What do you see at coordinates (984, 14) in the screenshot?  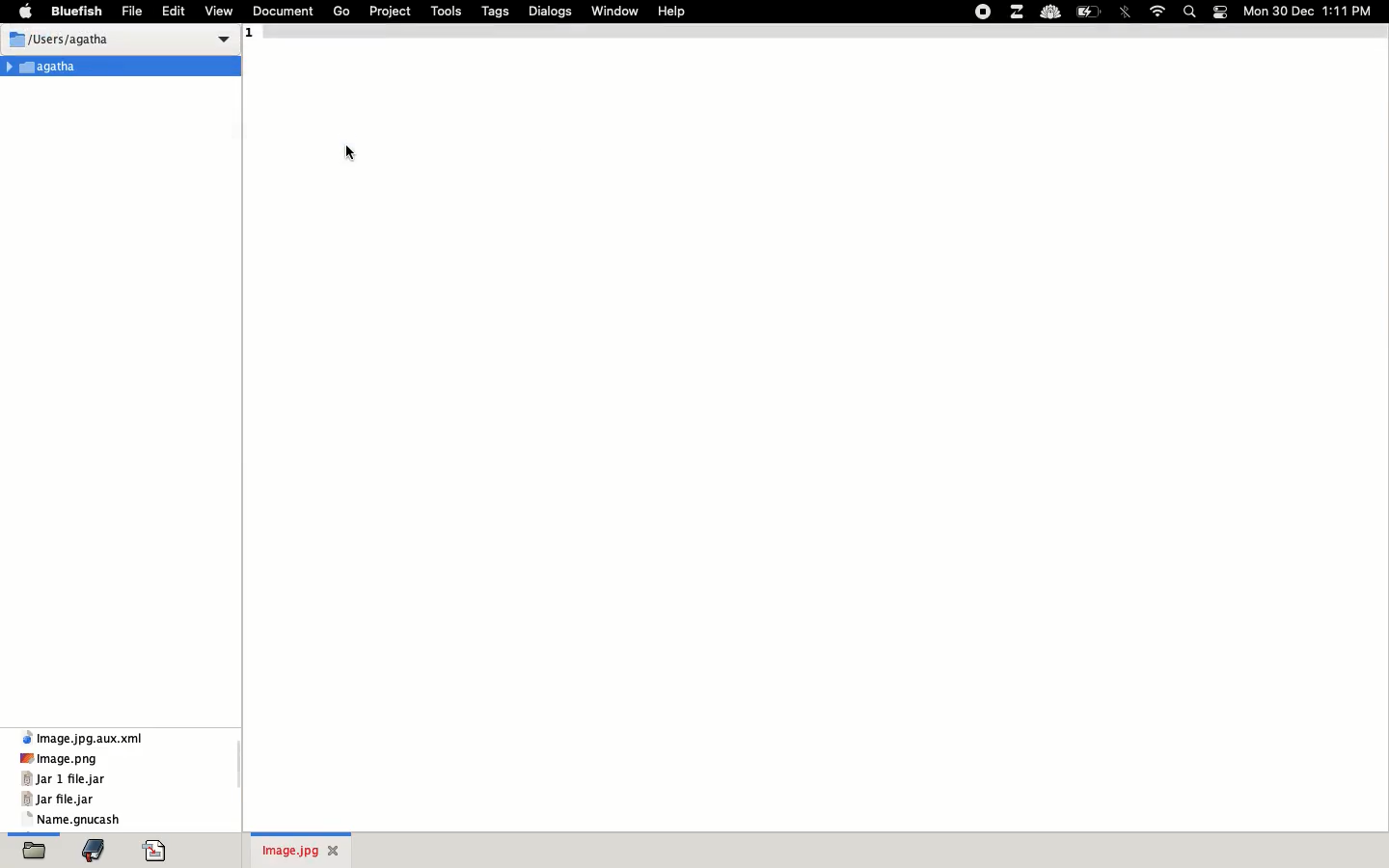 I see `recording` at bounding box center [984, 14].